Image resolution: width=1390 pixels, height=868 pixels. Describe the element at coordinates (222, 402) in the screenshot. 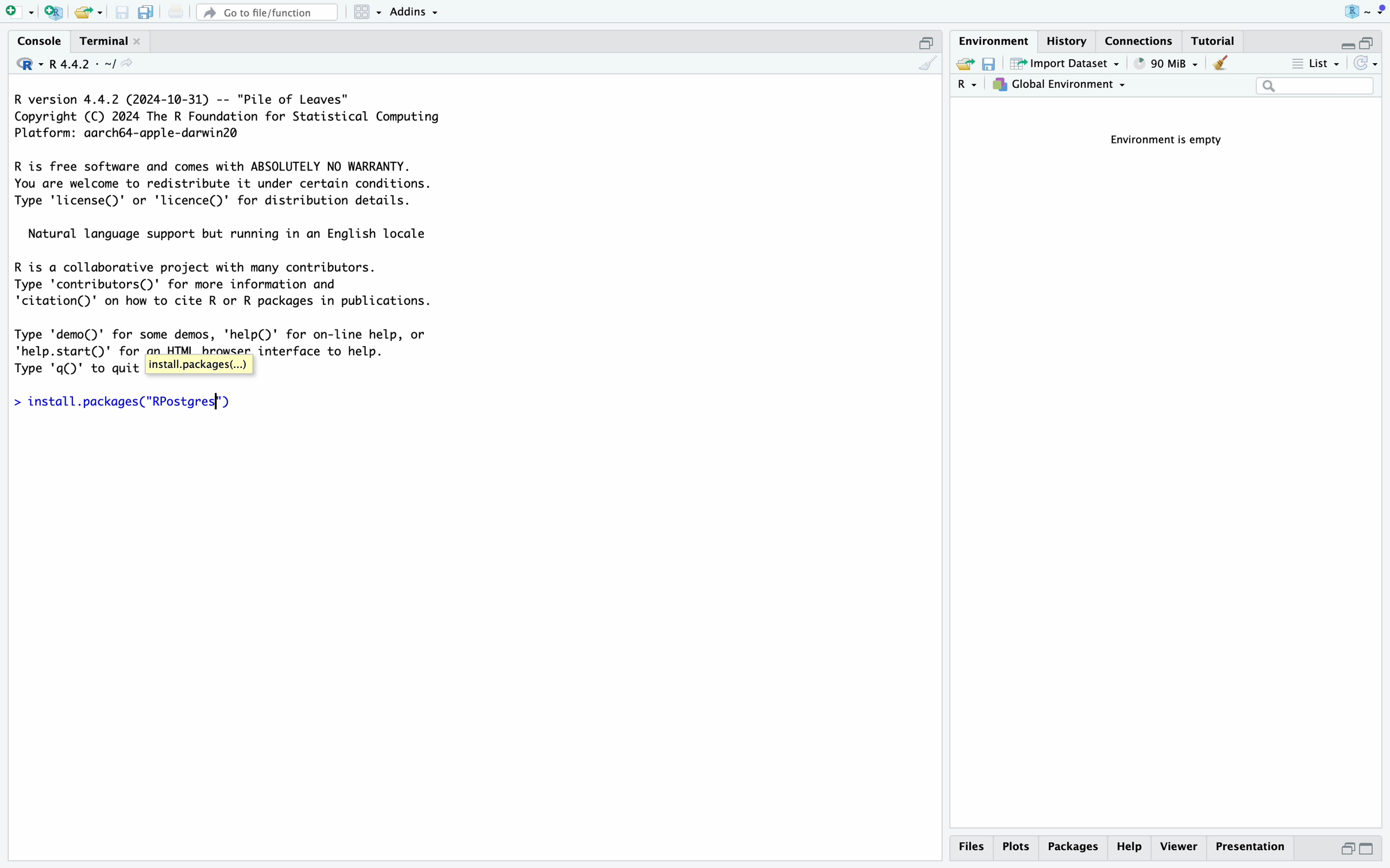

I see `typing cursor` at that location.